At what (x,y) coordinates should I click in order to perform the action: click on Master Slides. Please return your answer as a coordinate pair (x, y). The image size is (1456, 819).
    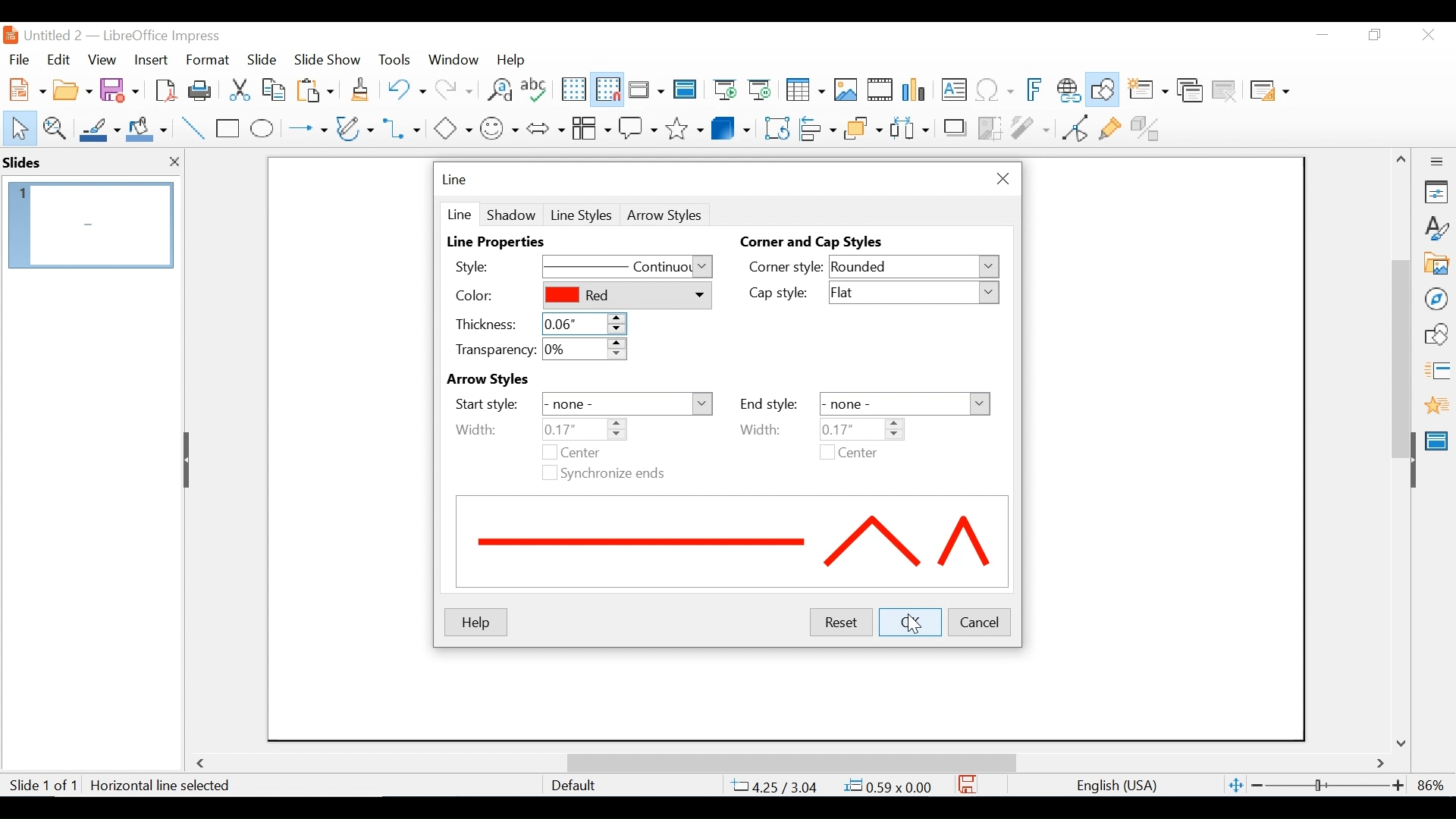
    Looking at the image, I should click on (686, 91).